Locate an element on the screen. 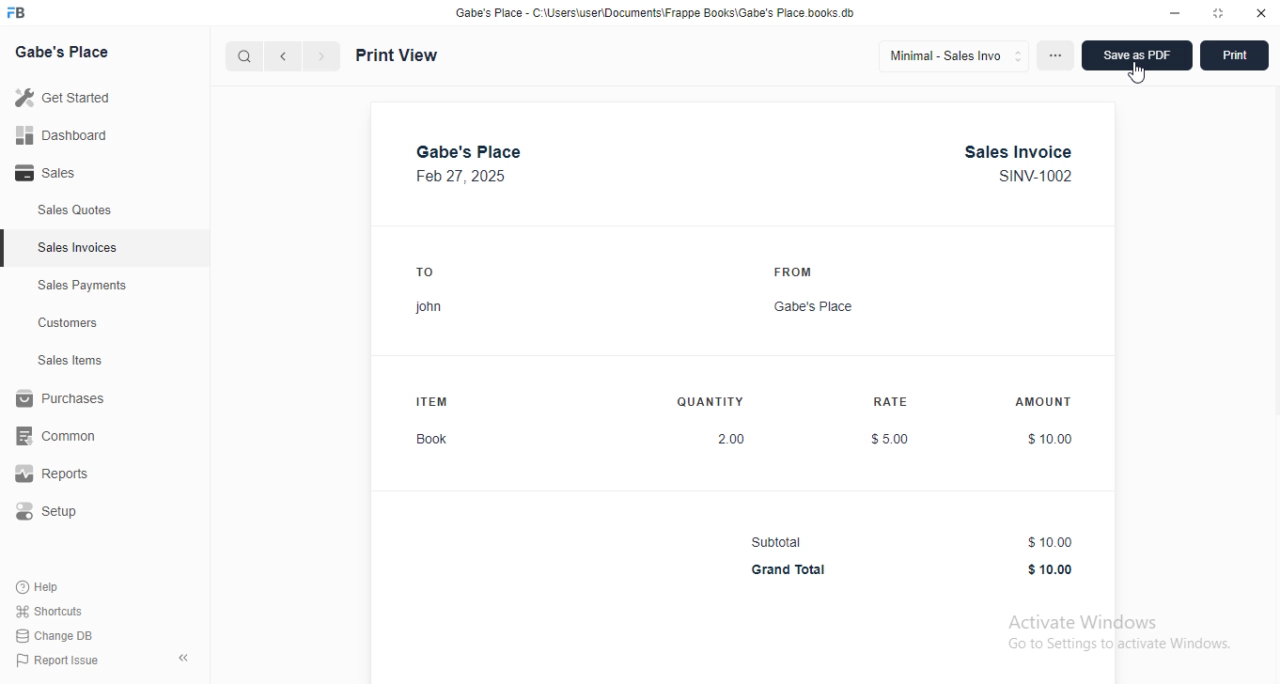  Sales Invoice is located at coordinates (1019, 152).